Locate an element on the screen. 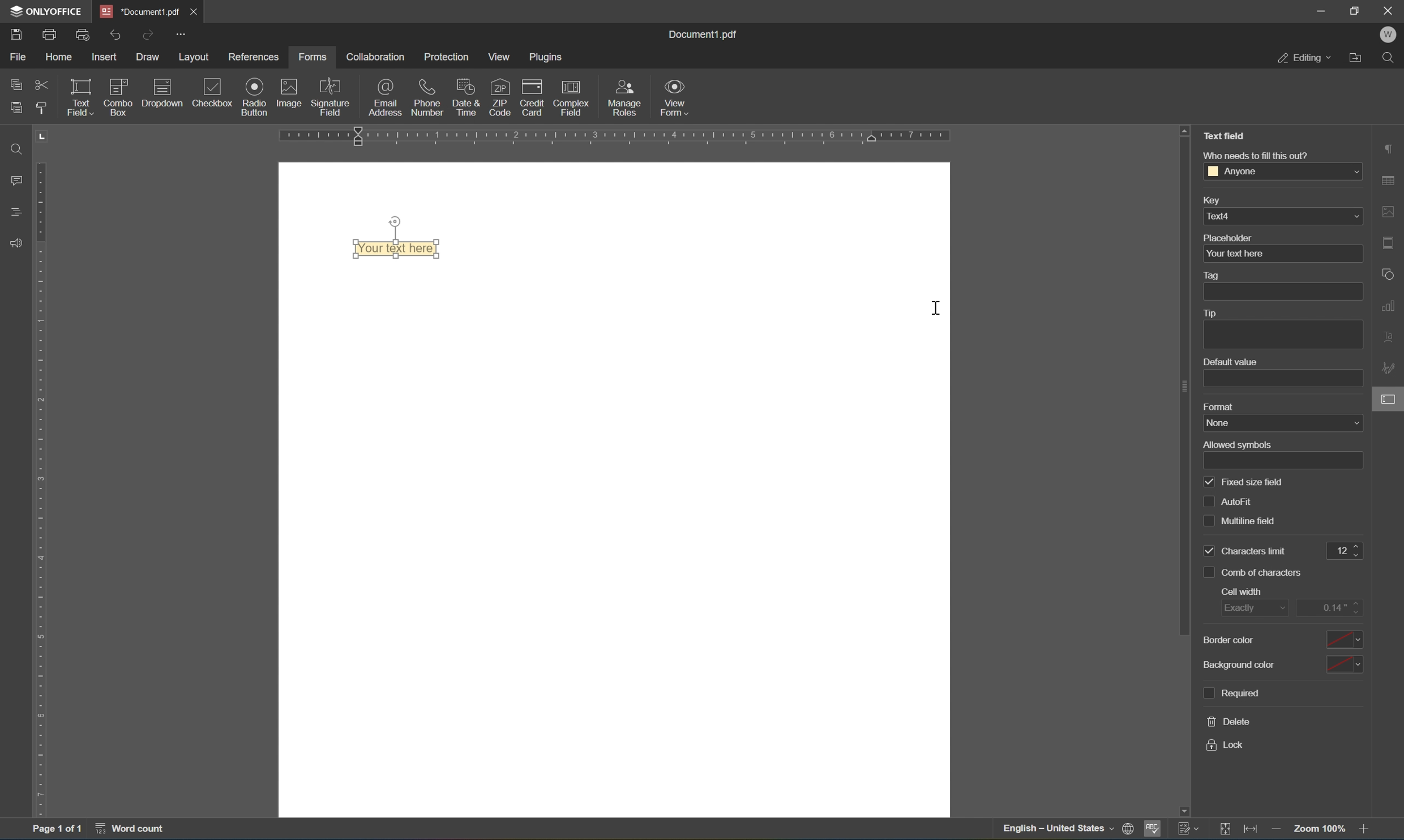  image settings is located at coordinates (1390, 210).